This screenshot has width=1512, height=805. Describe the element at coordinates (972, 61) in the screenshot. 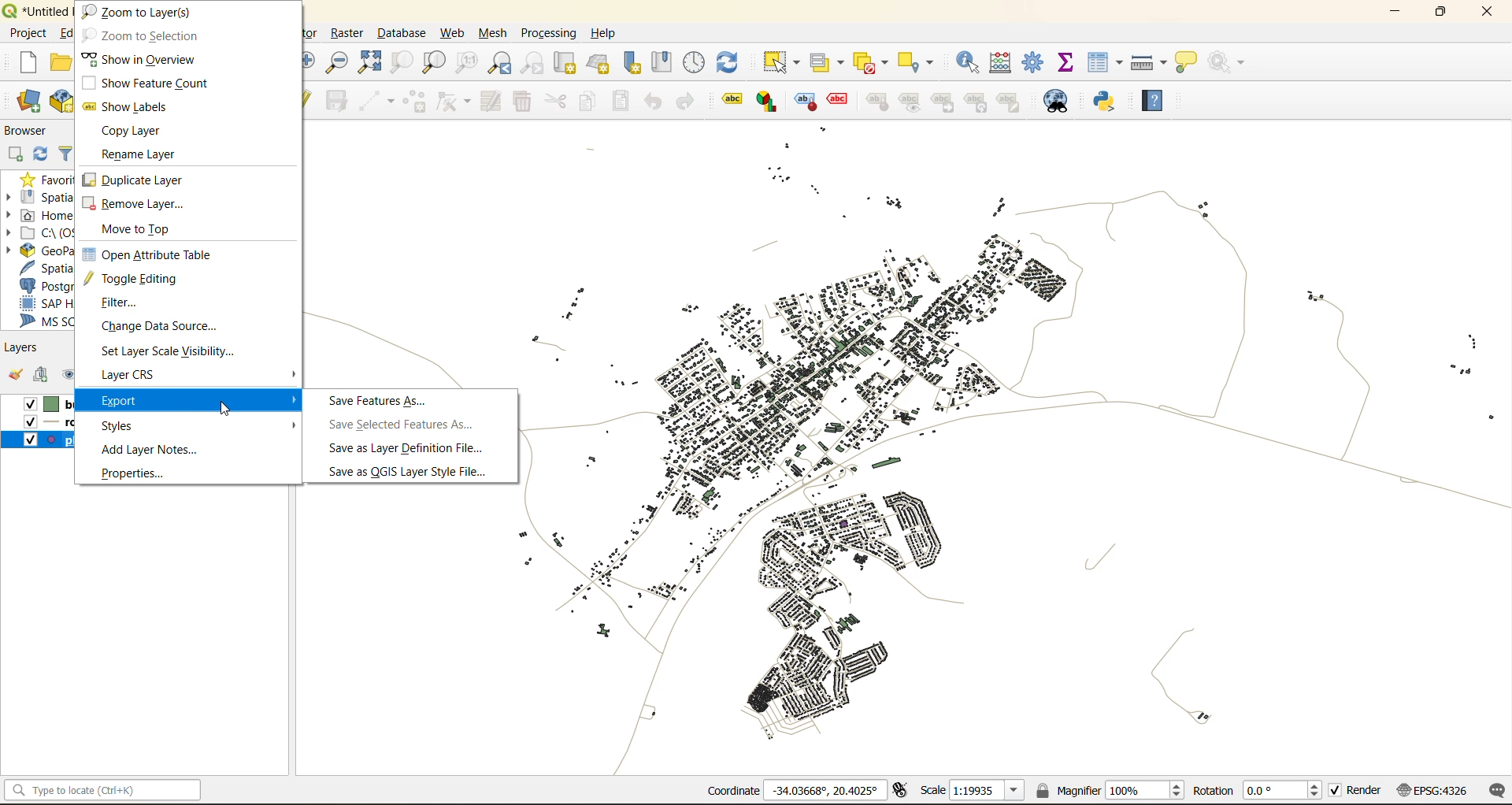

I see `identify features` at that location.